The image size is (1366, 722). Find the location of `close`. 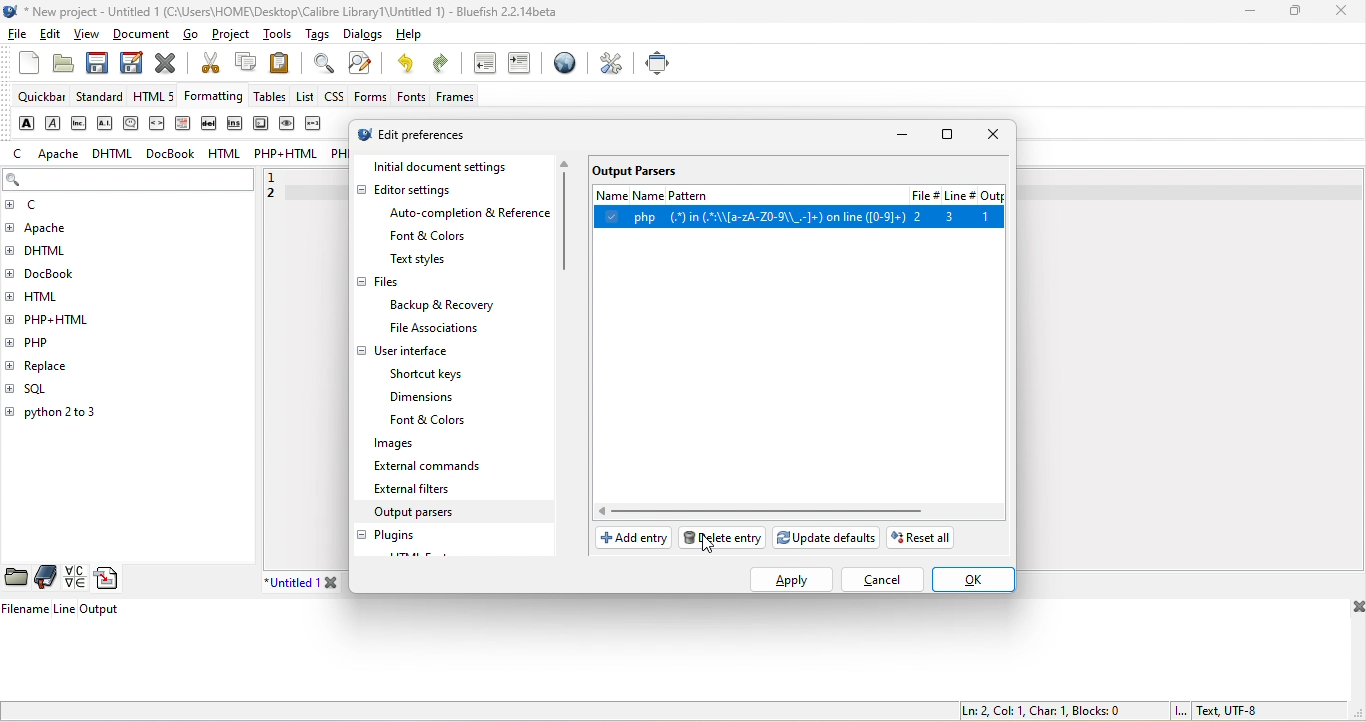

close is located at coordinates (1355, 609).